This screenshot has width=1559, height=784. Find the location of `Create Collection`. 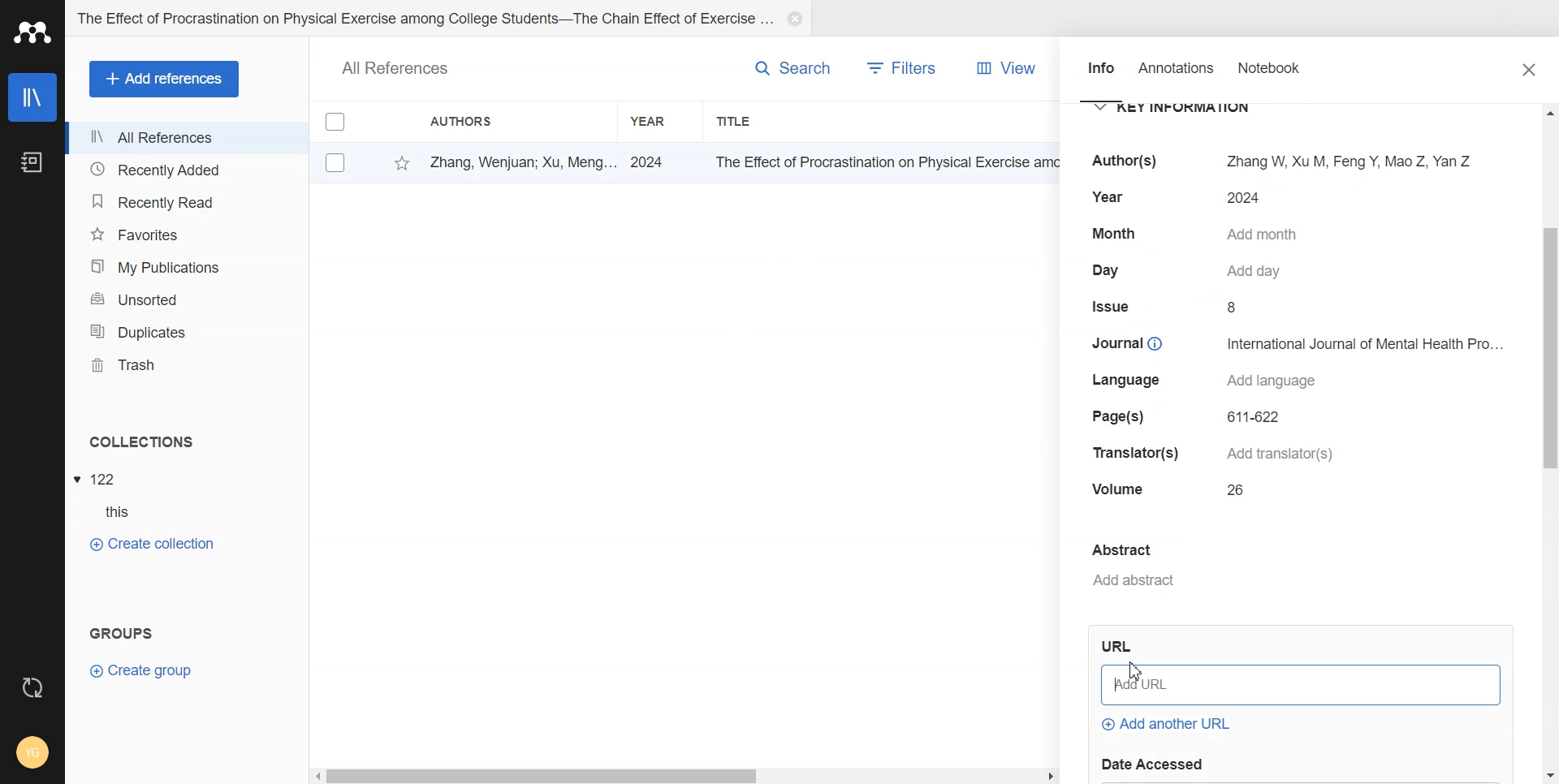

Create Collection is located at coordinates (152, 544).